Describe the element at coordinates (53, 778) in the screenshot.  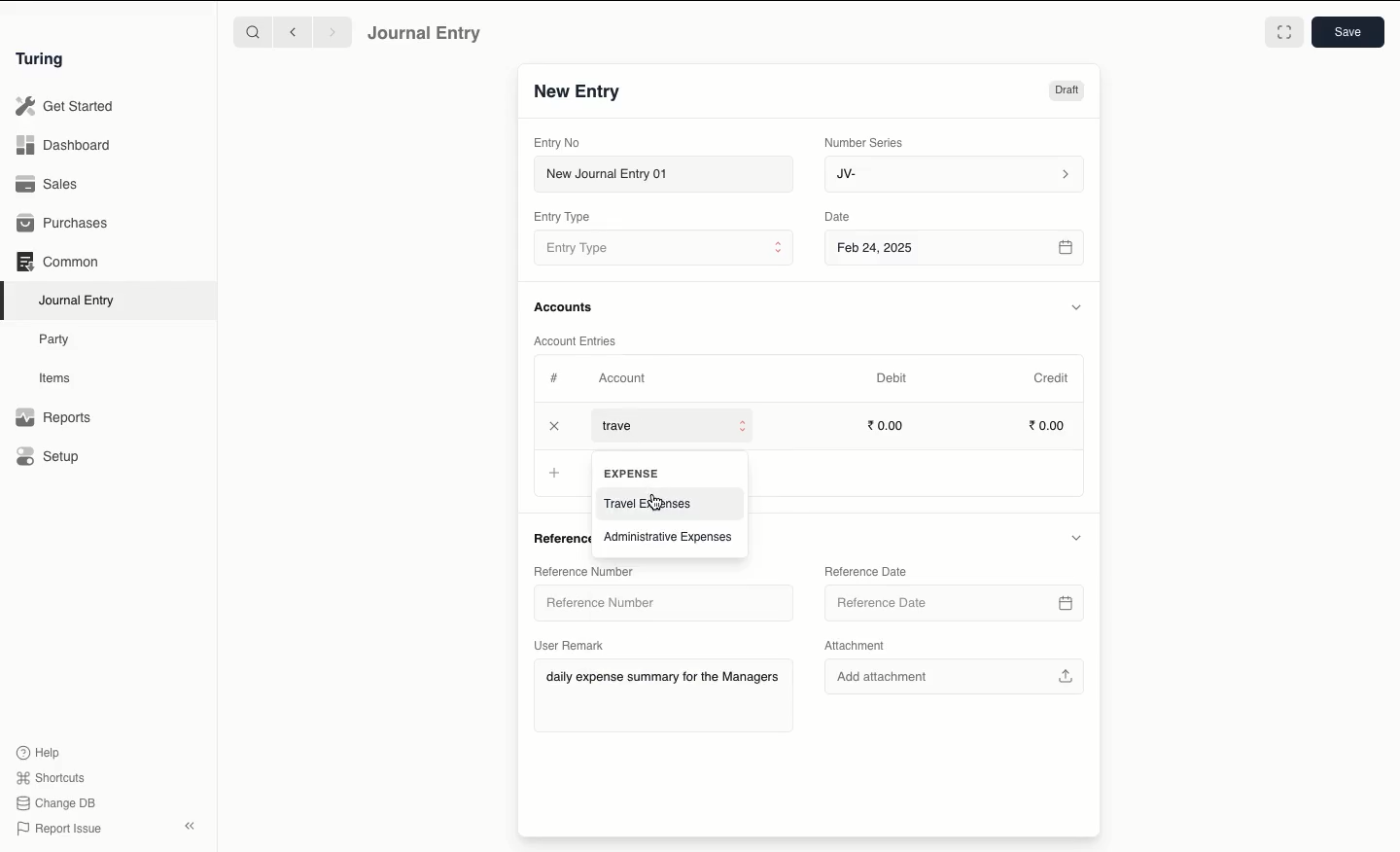
I see `Shortcuts` at that location.